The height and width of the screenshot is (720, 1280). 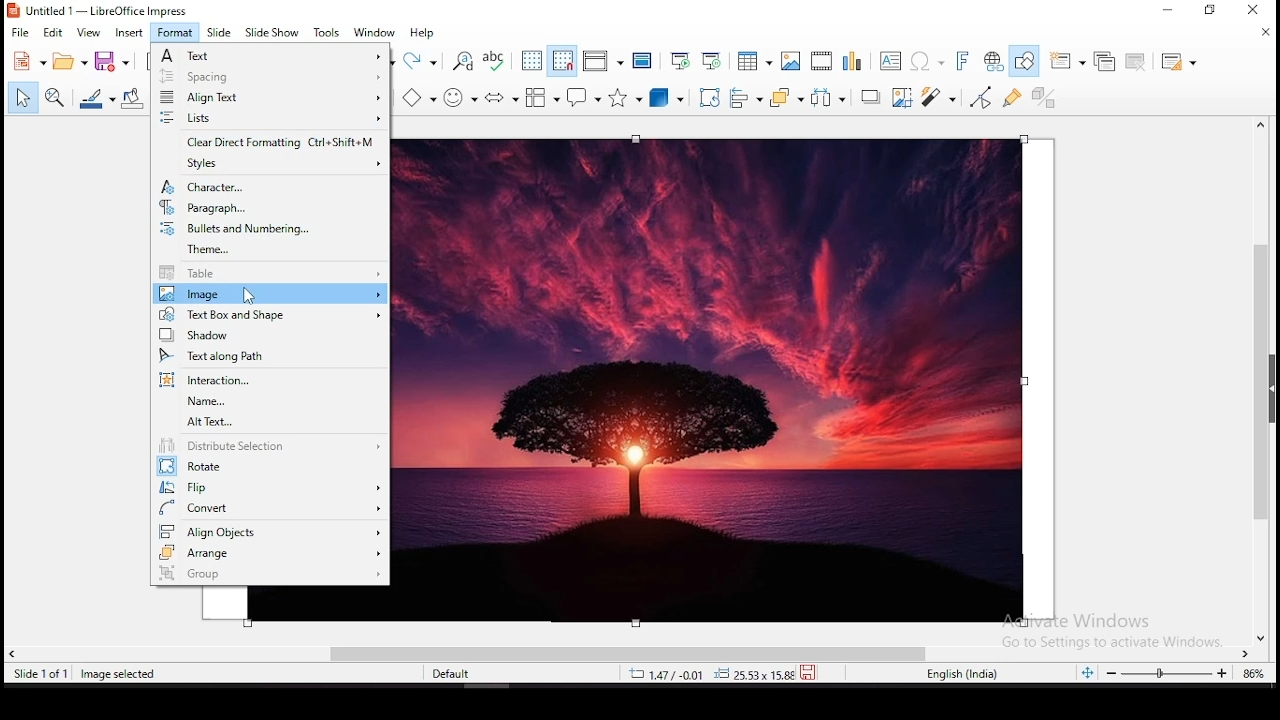 What do you see at coordinates (20, 99) in the screenshot?
I see `select tool` at bounding box center [20, 99].